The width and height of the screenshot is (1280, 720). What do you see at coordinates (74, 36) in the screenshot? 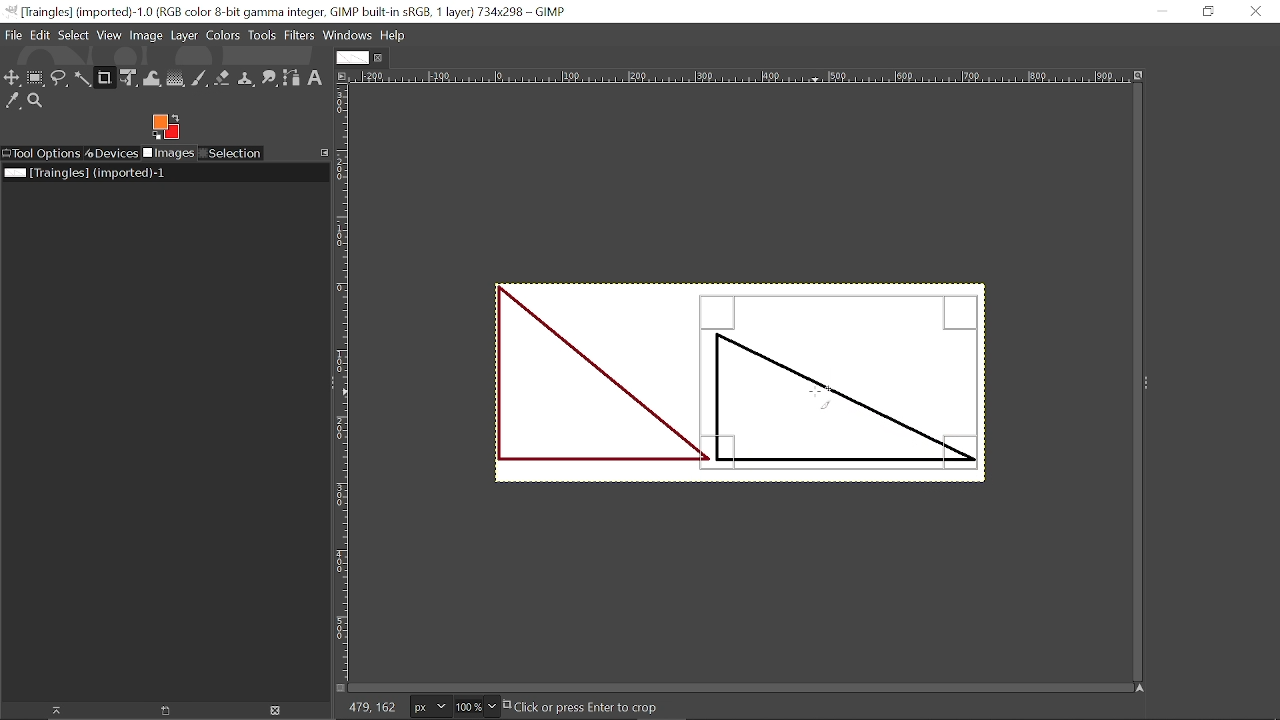
I see `Select` at bounding box center [74, 36].